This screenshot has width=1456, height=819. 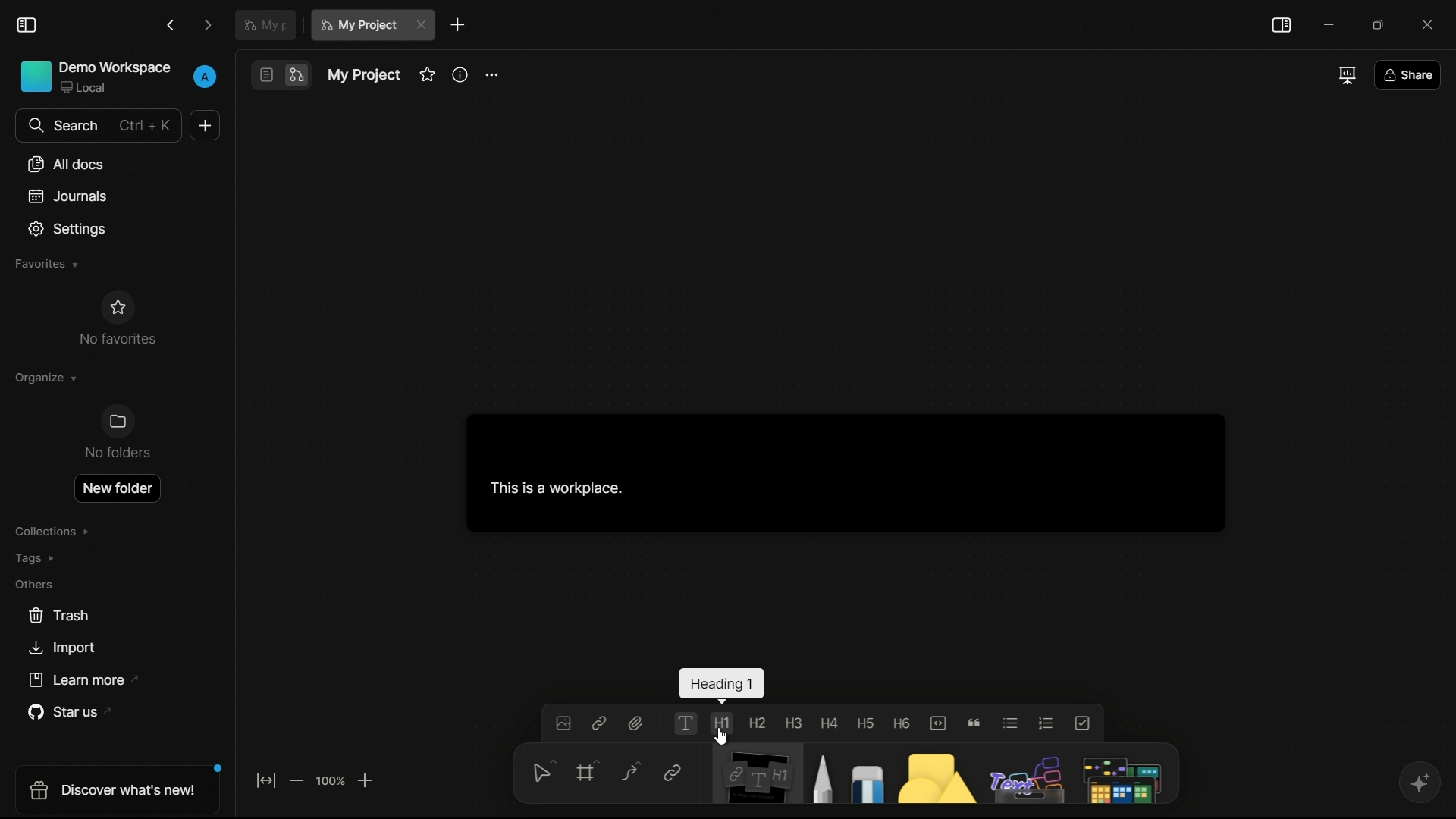 I want to click on numbered list, so click(x=1046, y=723).